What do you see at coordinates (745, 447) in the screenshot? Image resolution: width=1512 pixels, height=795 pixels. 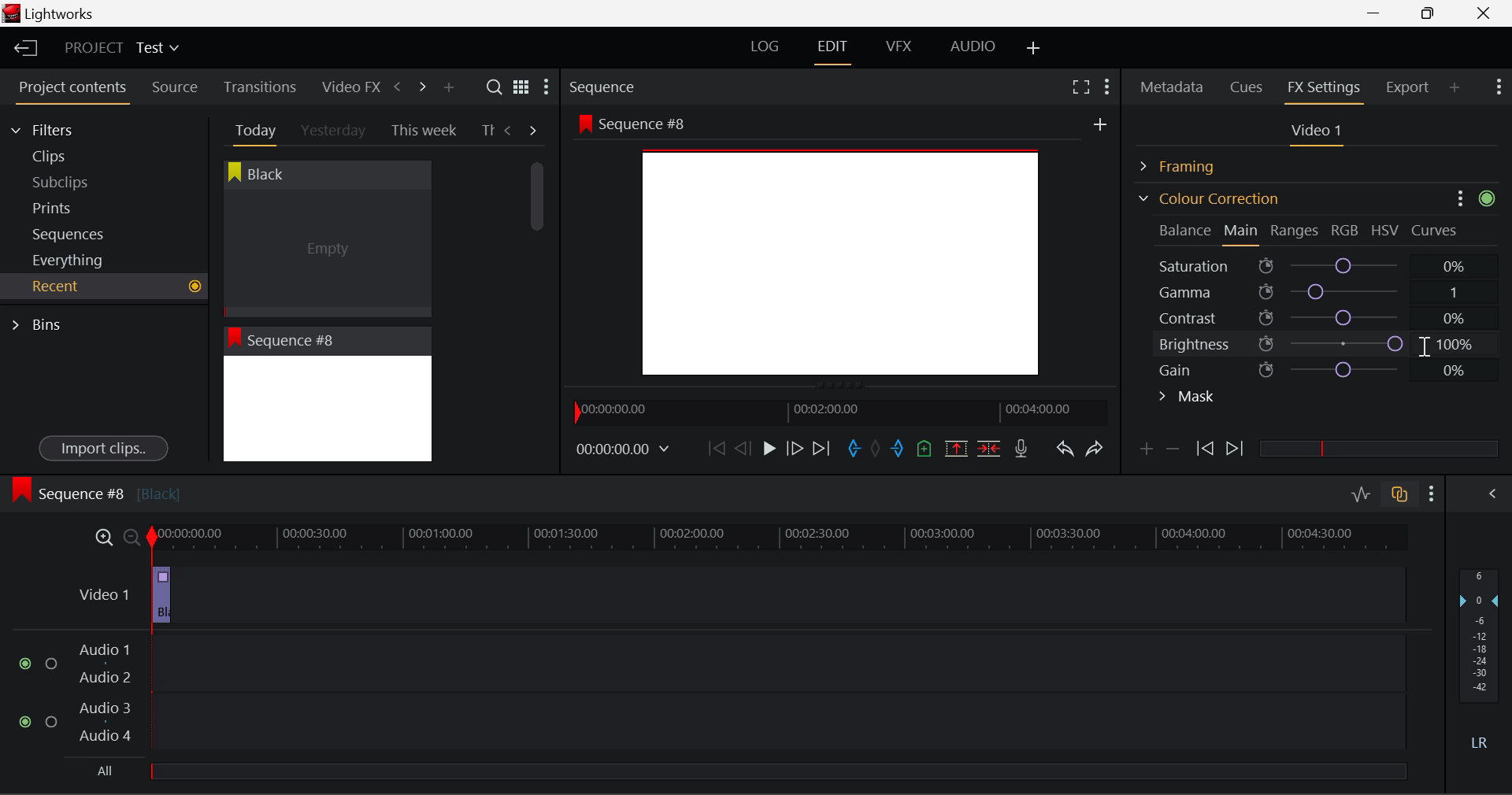 I see `Go Back` at bounding box center [745, 447].